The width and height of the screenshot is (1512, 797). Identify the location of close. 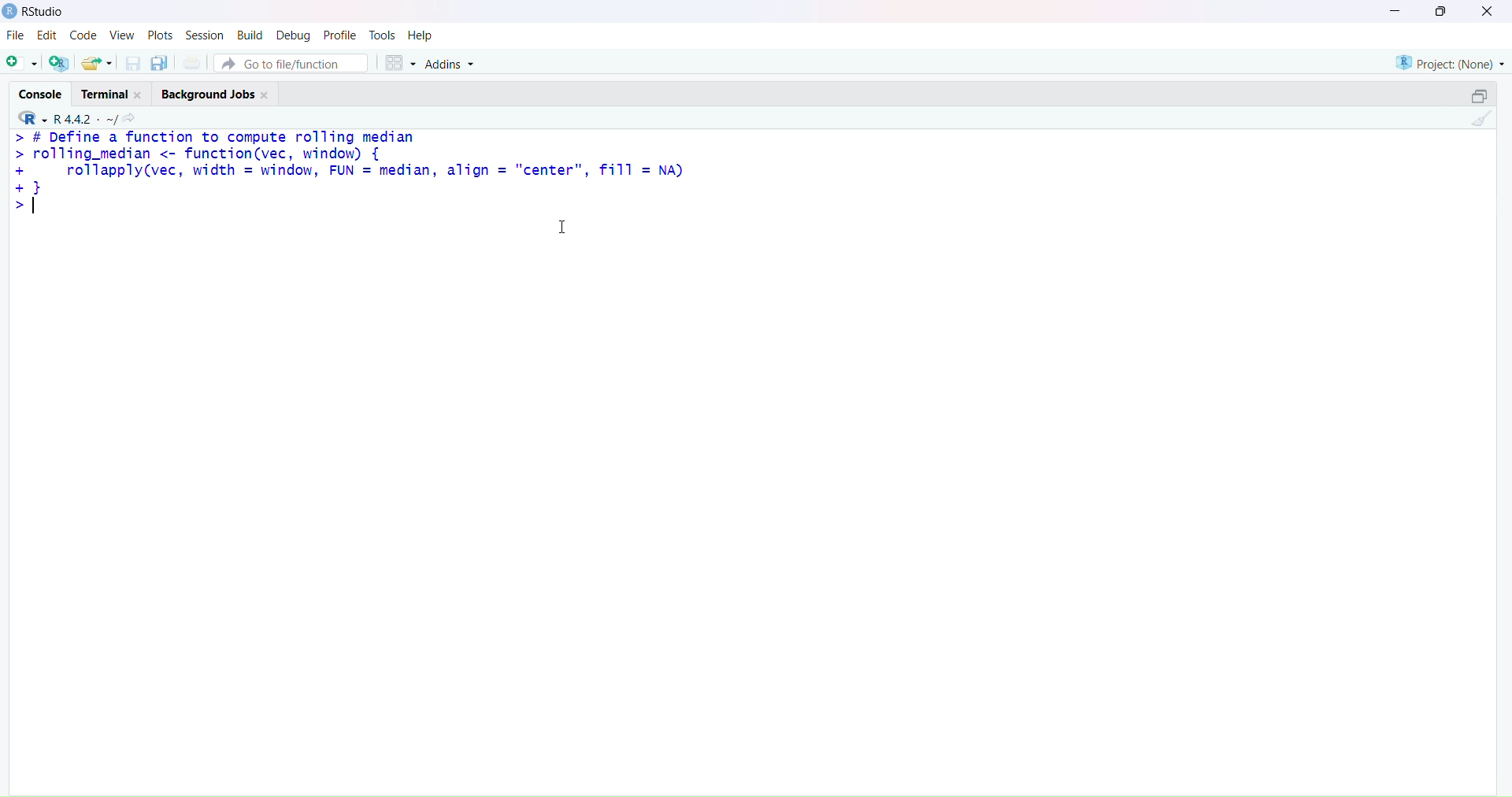
(1488, 10).